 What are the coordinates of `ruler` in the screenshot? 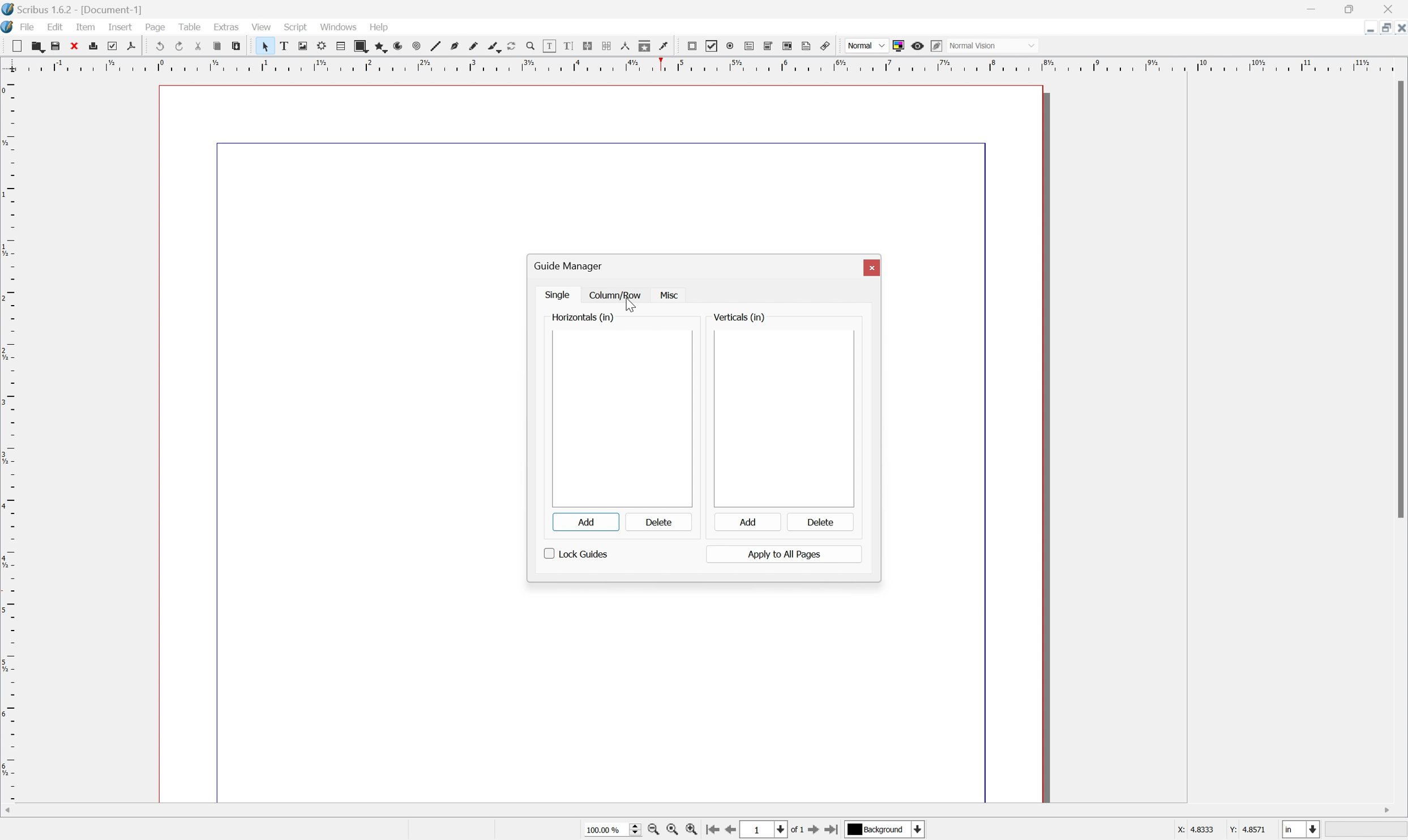 It's located at (704, 65).